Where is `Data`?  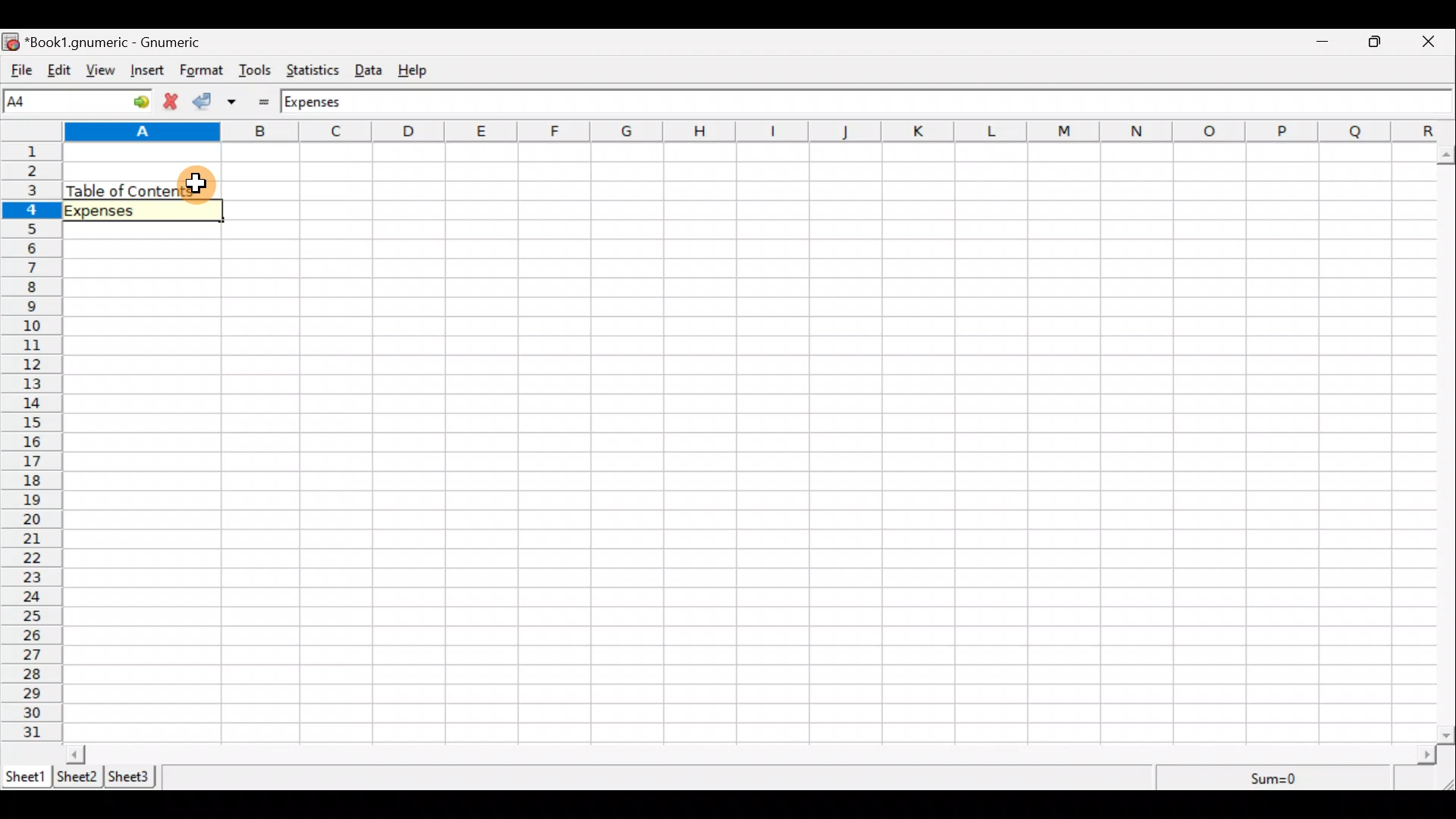 Data is located at coordinates (373, 71).